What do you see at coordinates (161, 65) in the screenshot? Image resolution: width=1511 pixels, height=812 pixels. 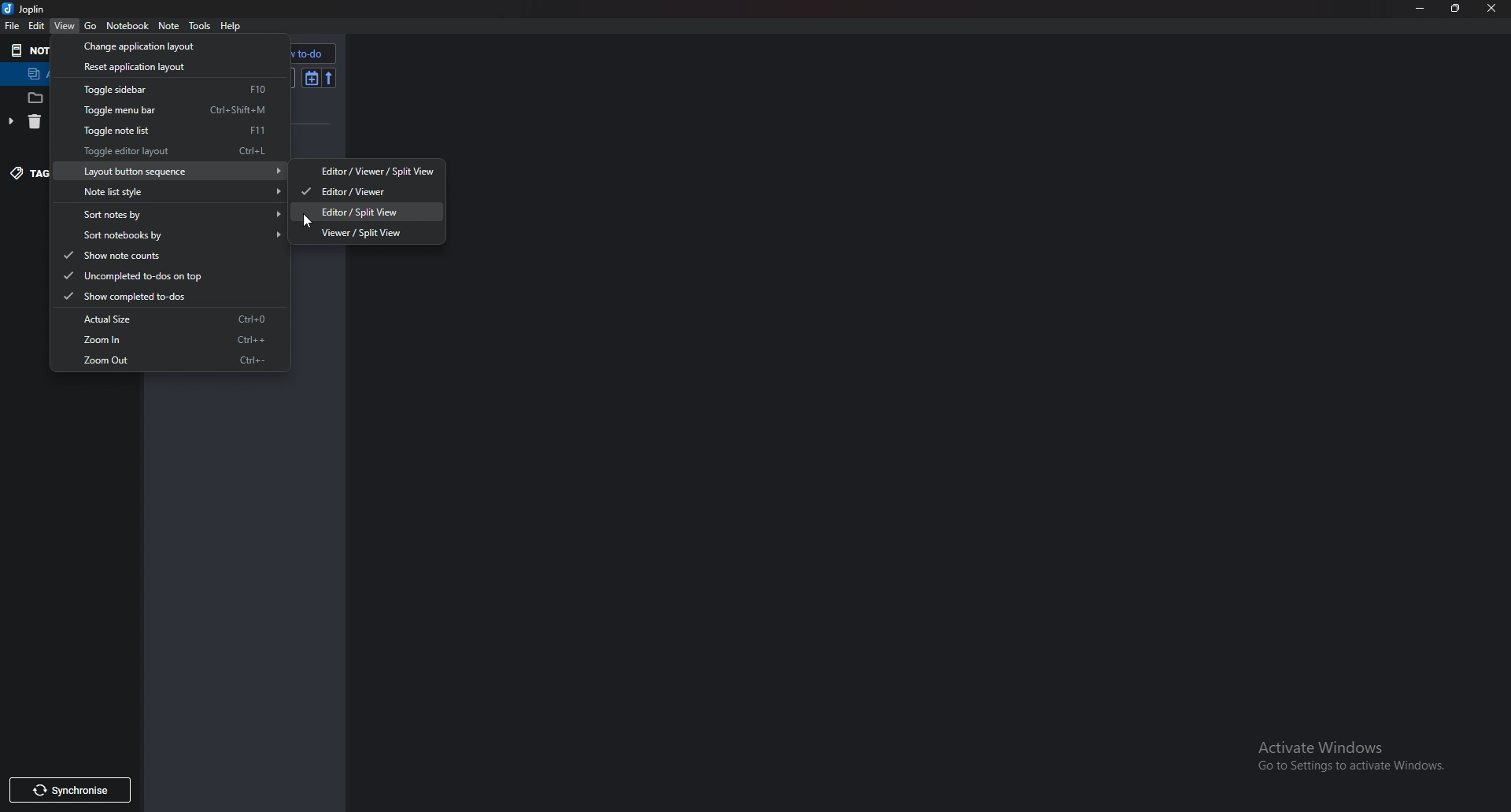 I see `Reset application layout` at bounding box center [161, 65].